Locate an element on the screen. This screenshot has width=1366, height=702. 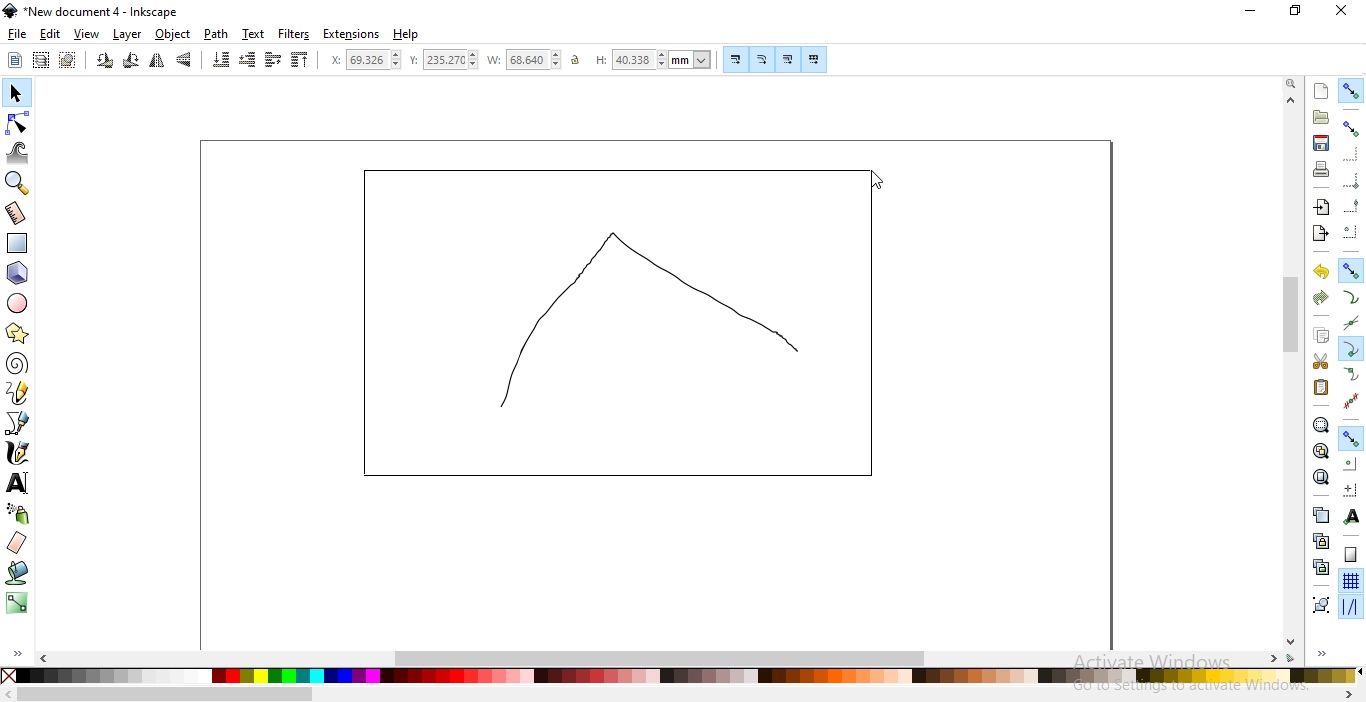
erase existing paths is located at coordinates (17, 542).